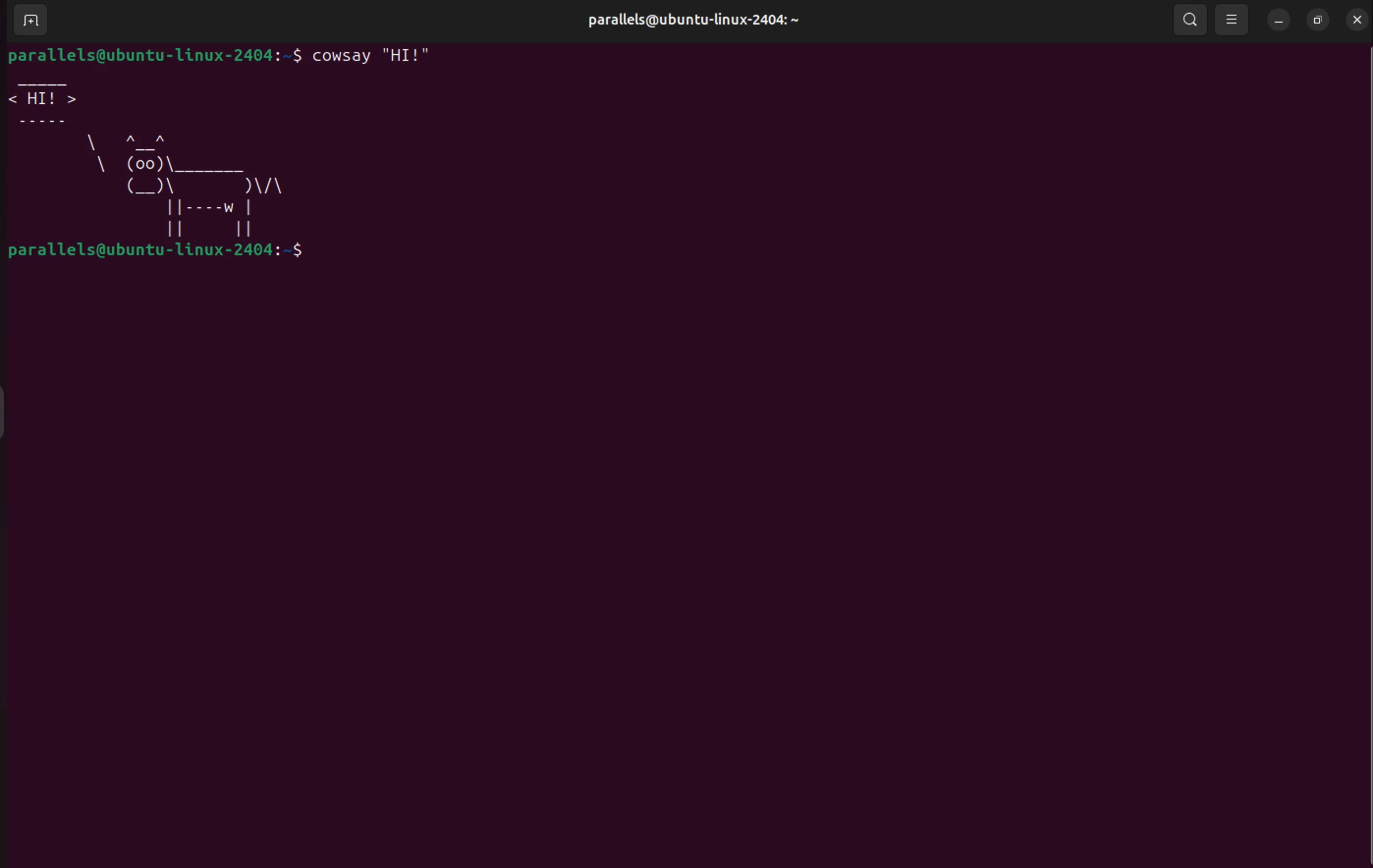  What do you see at coordinates (155, 57) in the screenshot?
I see `bash prompt` at bounding box center [155, 57].